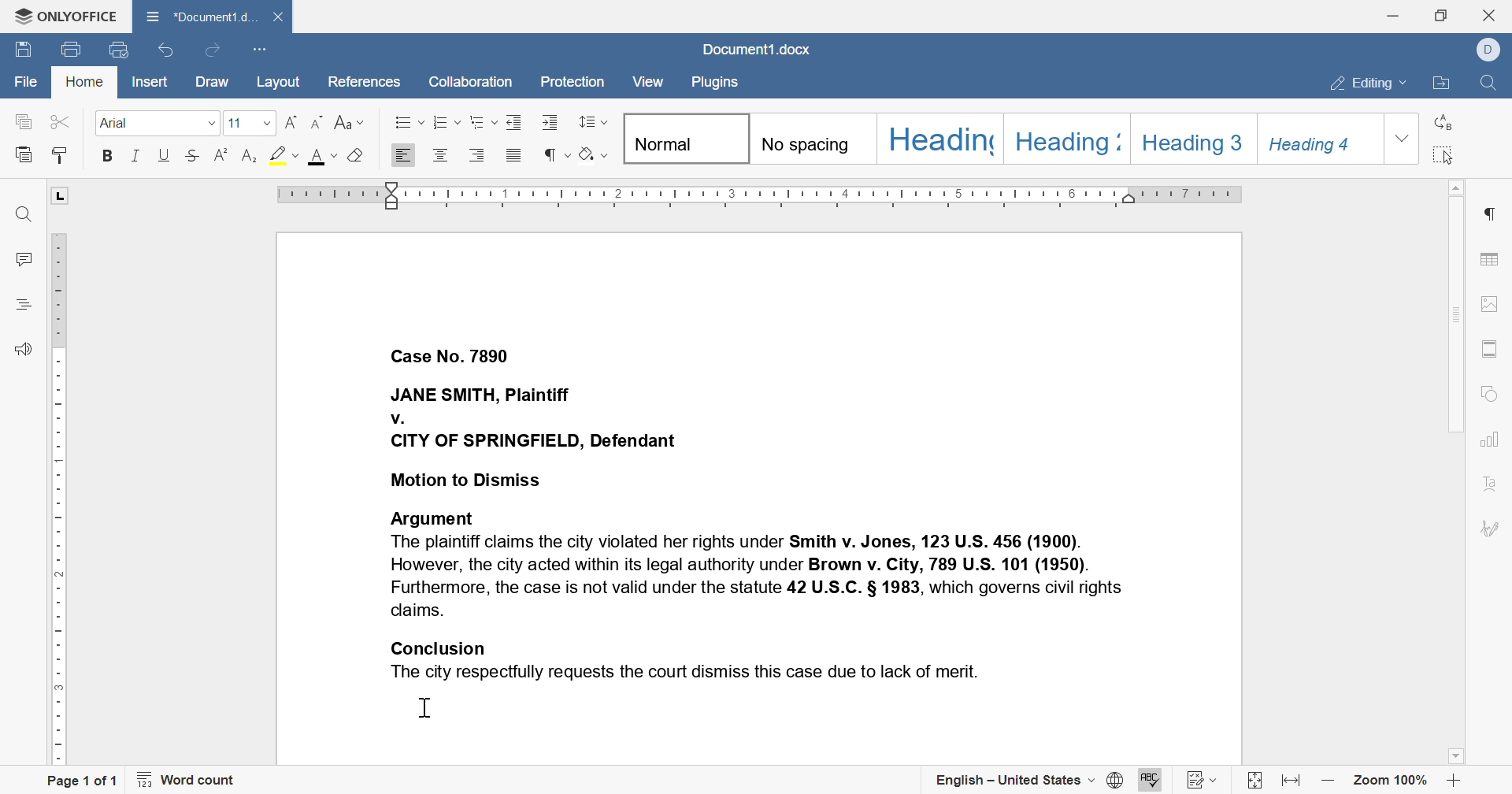 The image size is (1512, 794). What do you see at coordinates (109, 156) in the screenshot?
I see `bold` at bounding box center [109, 156].